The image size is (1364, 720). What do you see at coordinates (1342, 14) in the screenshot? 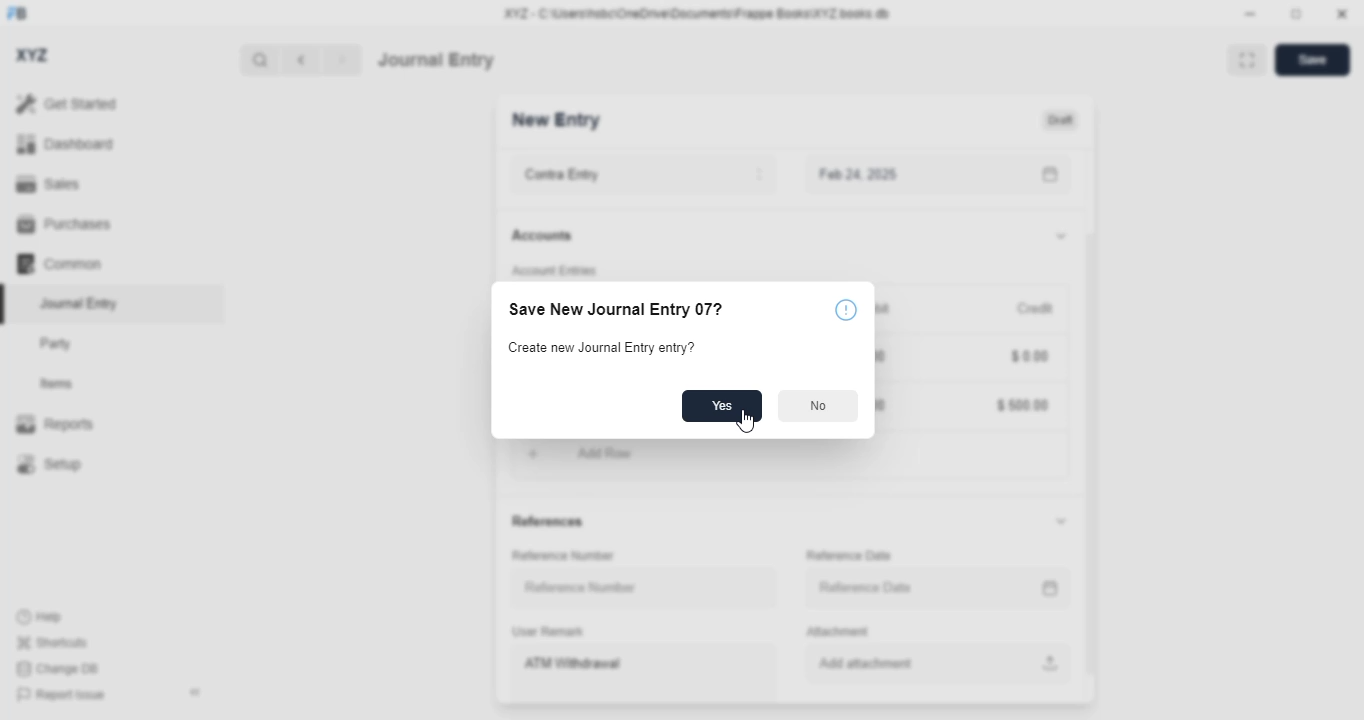
I see `close` at bounding box center [1342, 14].